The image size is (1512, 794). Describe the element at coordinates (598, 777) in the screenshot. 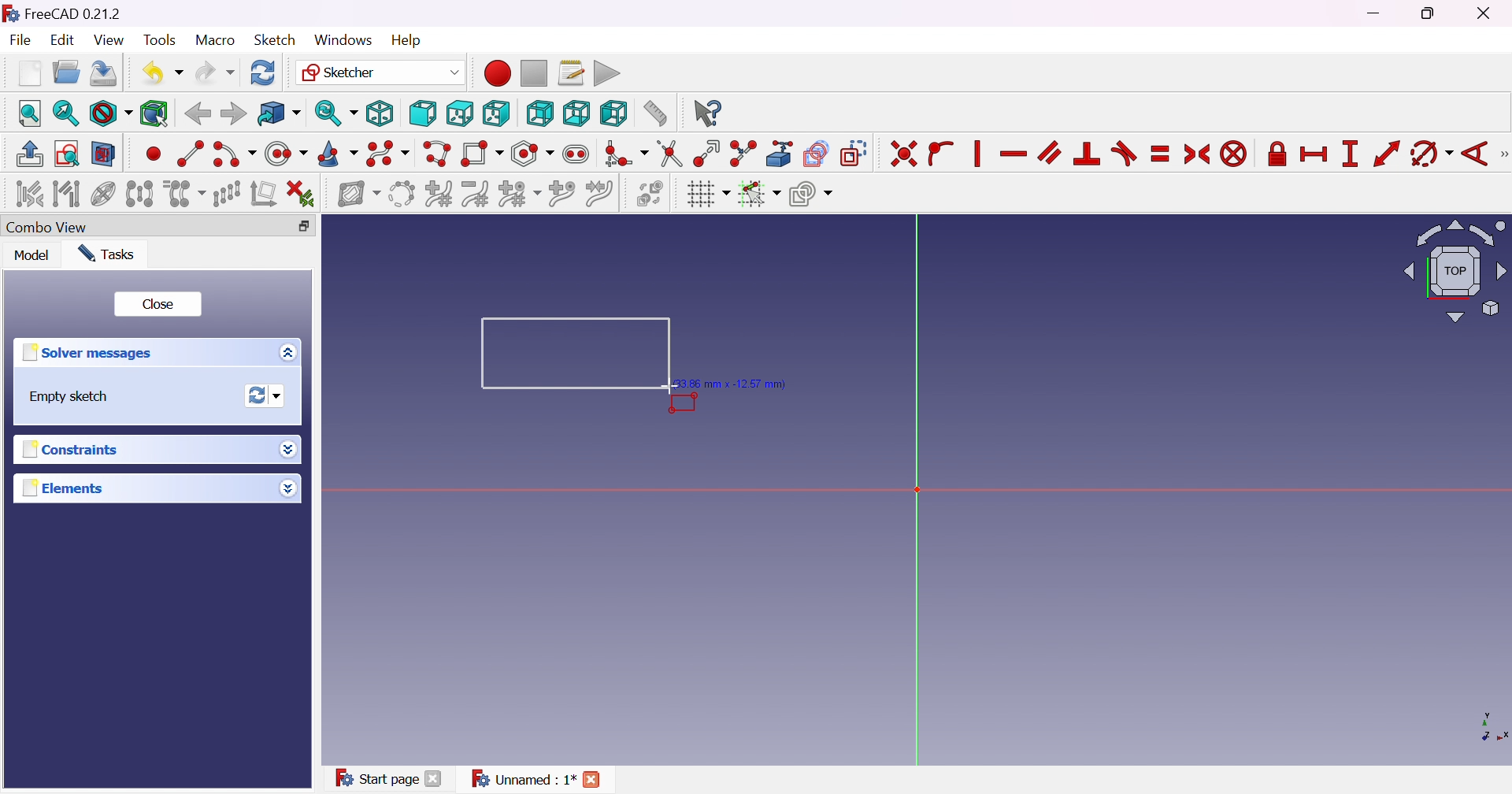

I see `Close` at that location.